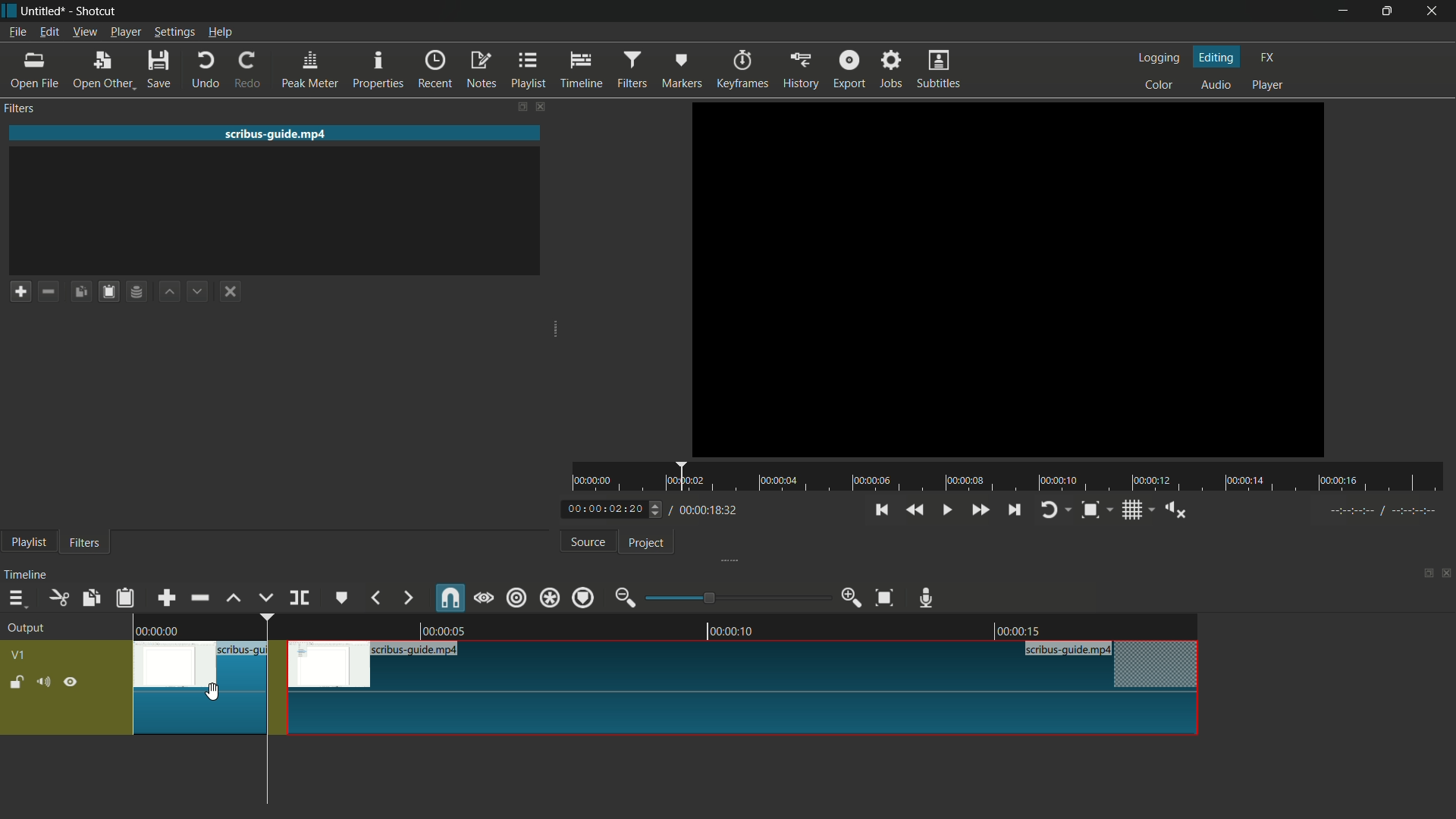 This screenshot has height=819, width=1456. I want to click on color, so click(1159, 83).